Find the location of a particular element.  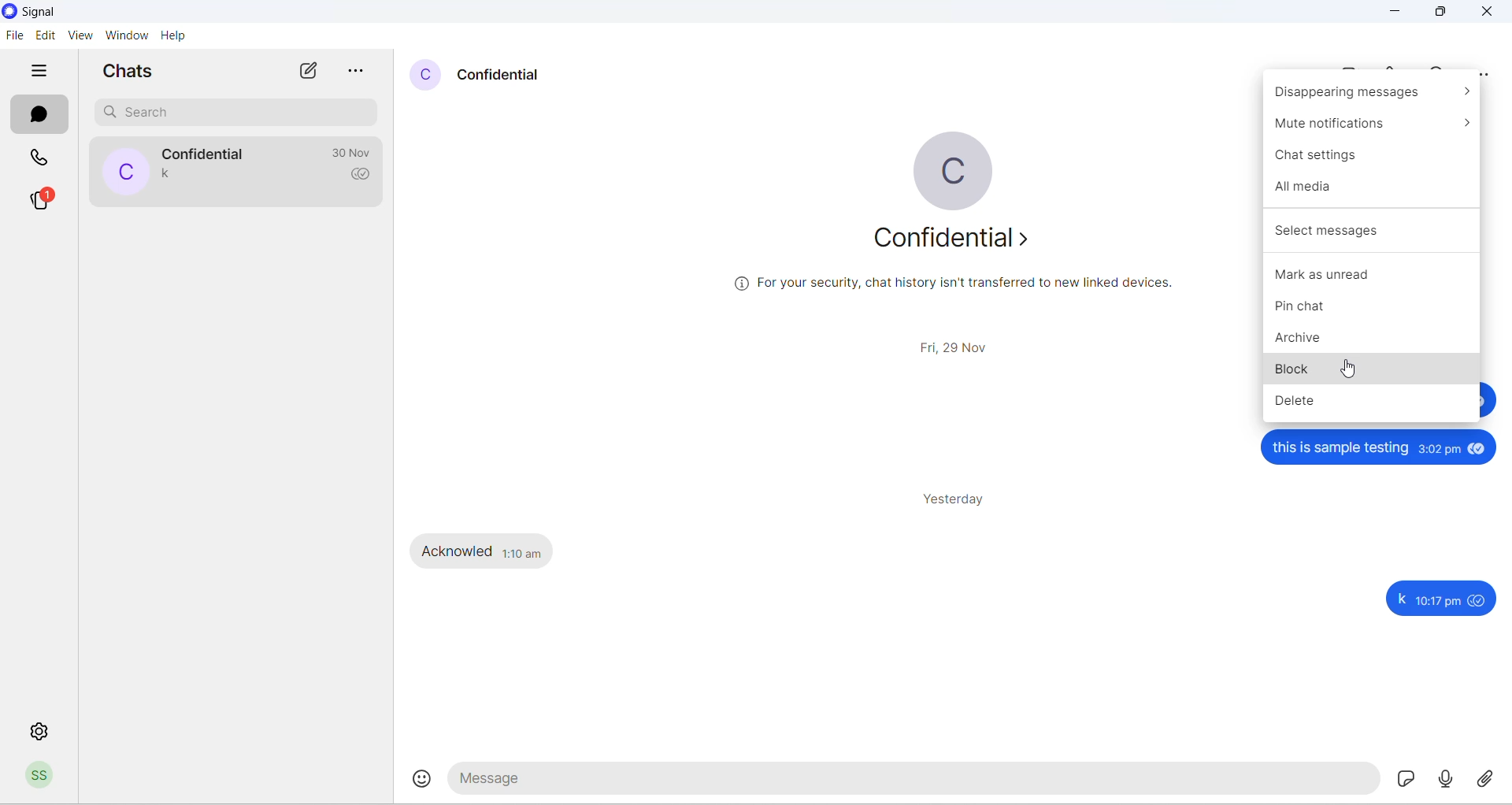

new chats is located at coordinates (309, 68).